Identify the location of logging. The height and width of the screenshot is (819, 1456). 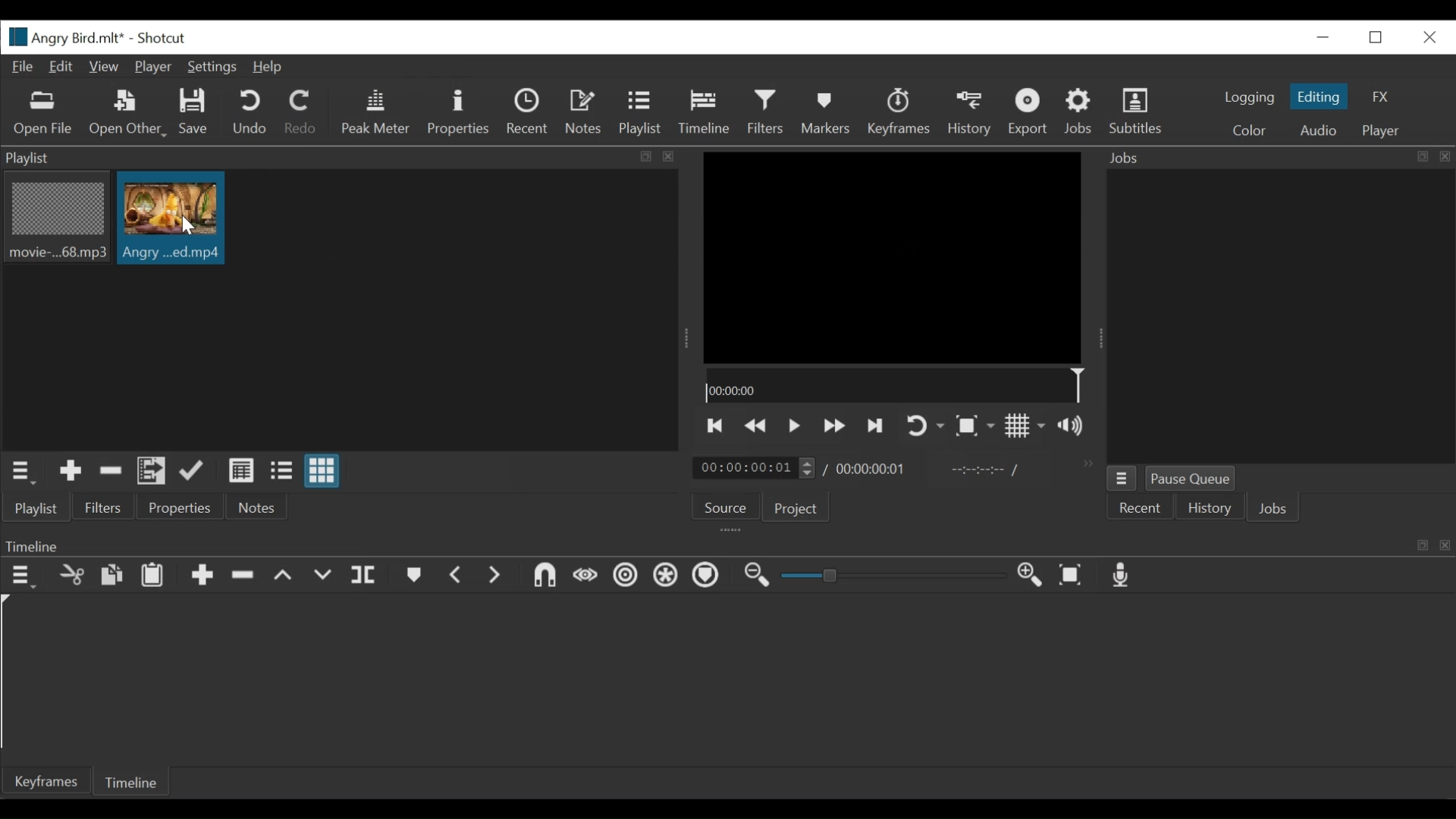
(1245, 98).